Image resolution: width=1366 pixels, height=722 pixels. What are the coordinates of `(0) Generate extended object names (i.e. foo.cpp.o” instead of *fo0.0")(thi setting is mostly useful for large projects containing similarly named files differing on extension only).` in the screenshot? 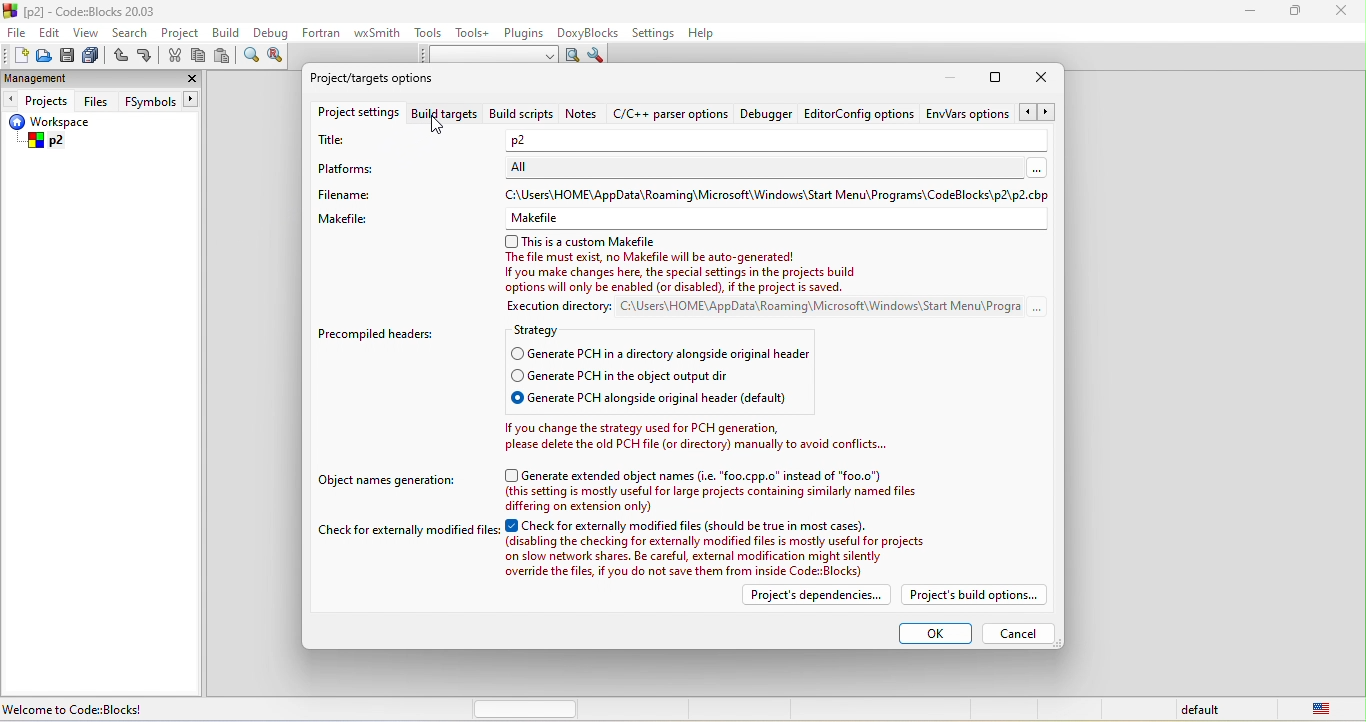 It's located at (721, 489).